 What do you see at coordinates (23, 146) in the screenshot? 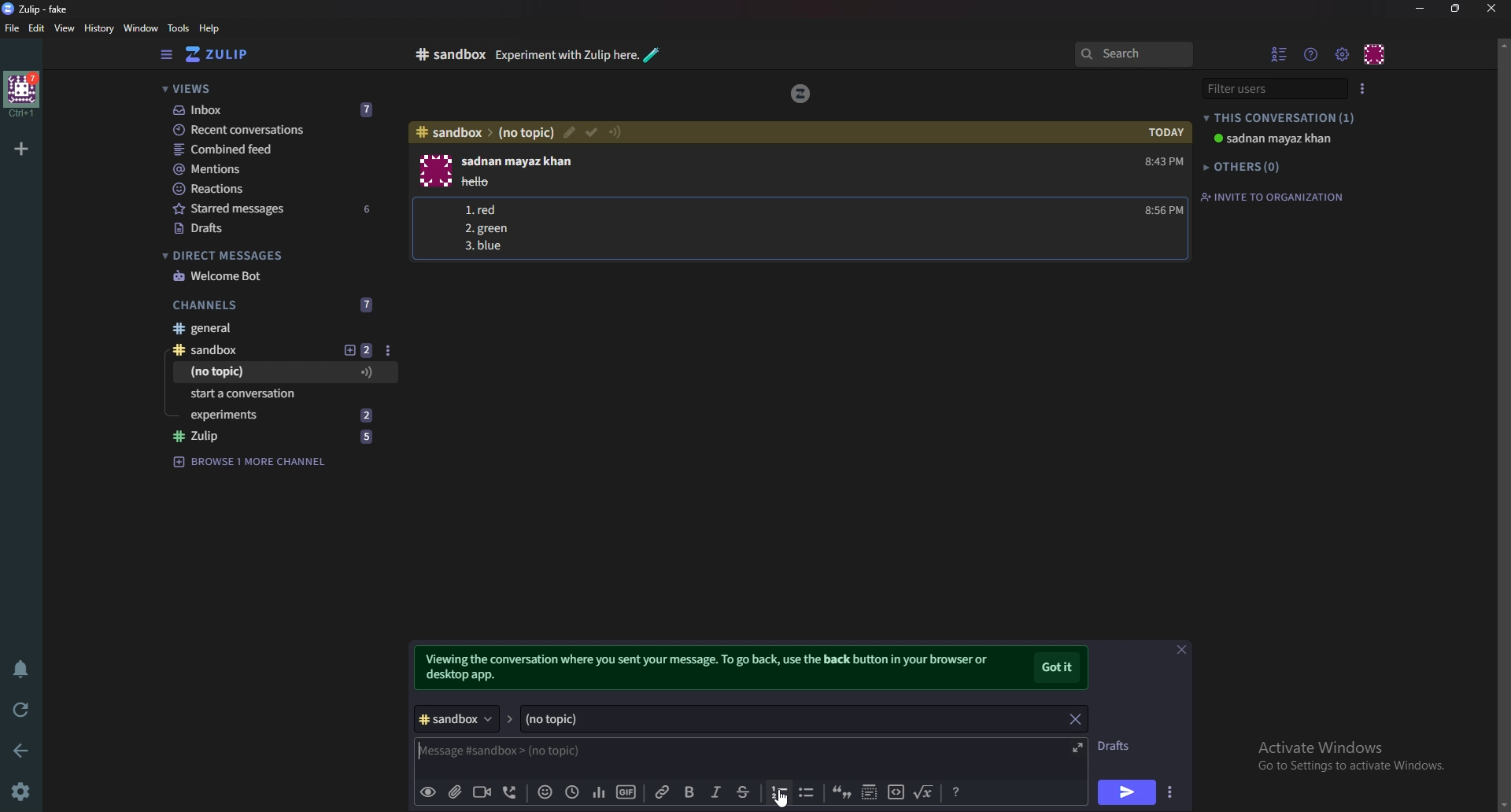
I see `Add organization` at bounding box center [23, 146].